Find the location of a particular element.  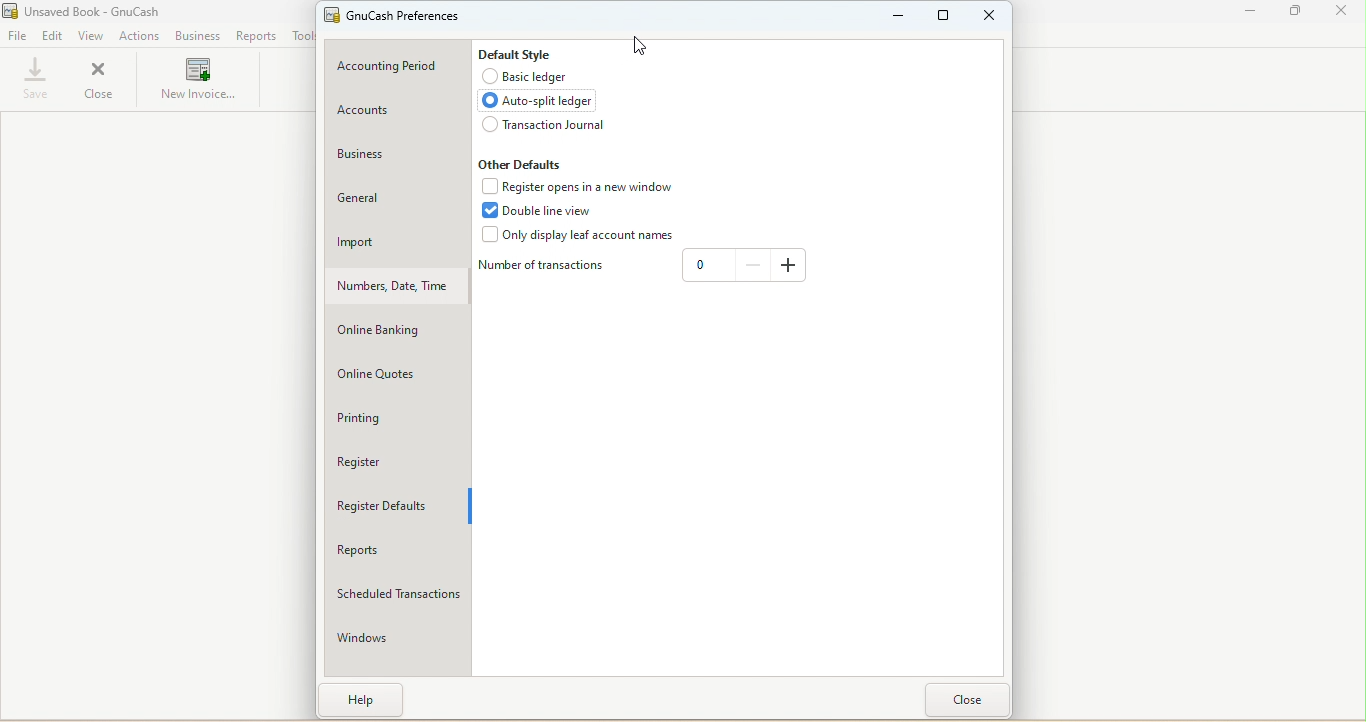

Number of transaction is located at coordinates (558, 265).